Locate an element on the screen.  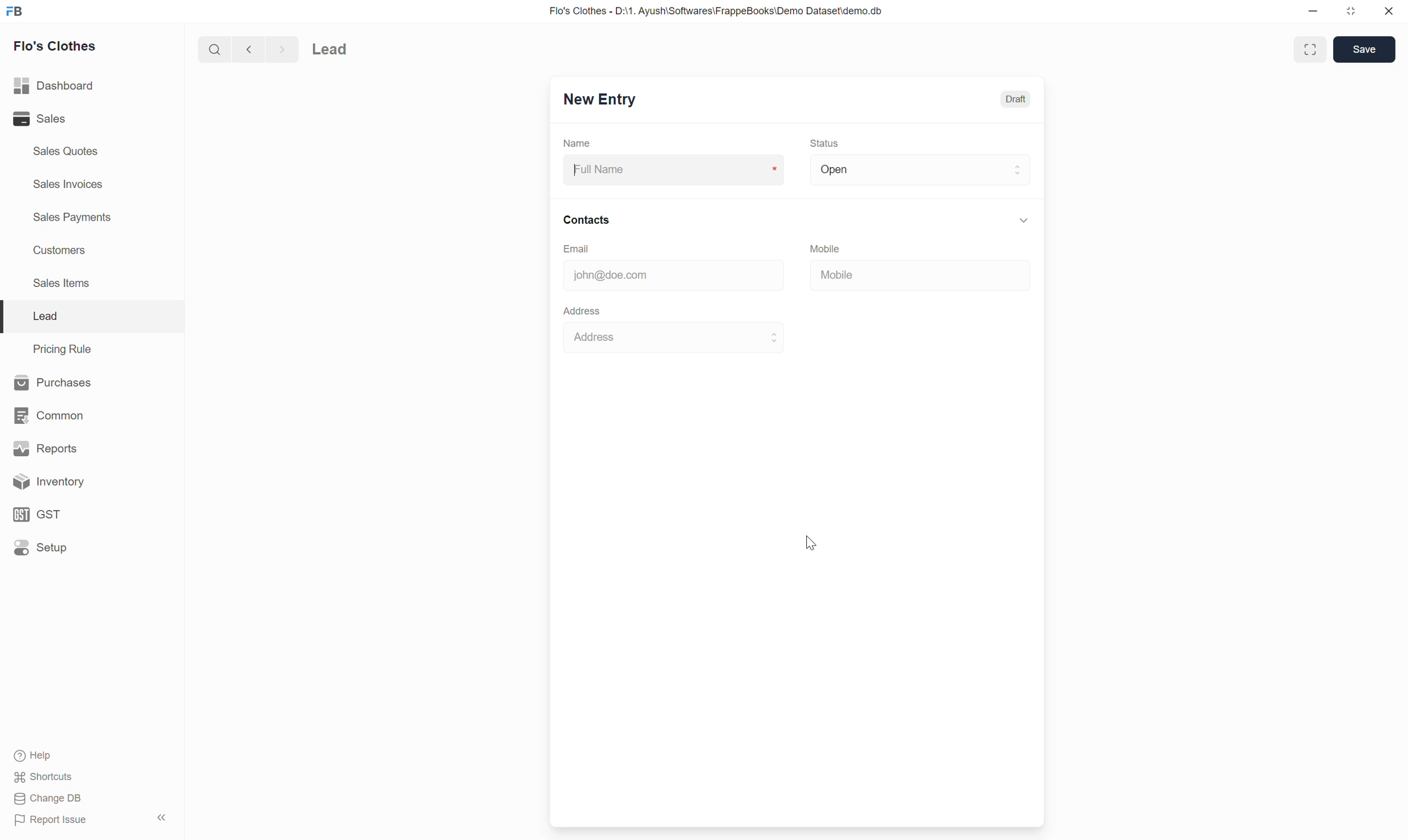
Inventory is located at coordinates (45, 482).